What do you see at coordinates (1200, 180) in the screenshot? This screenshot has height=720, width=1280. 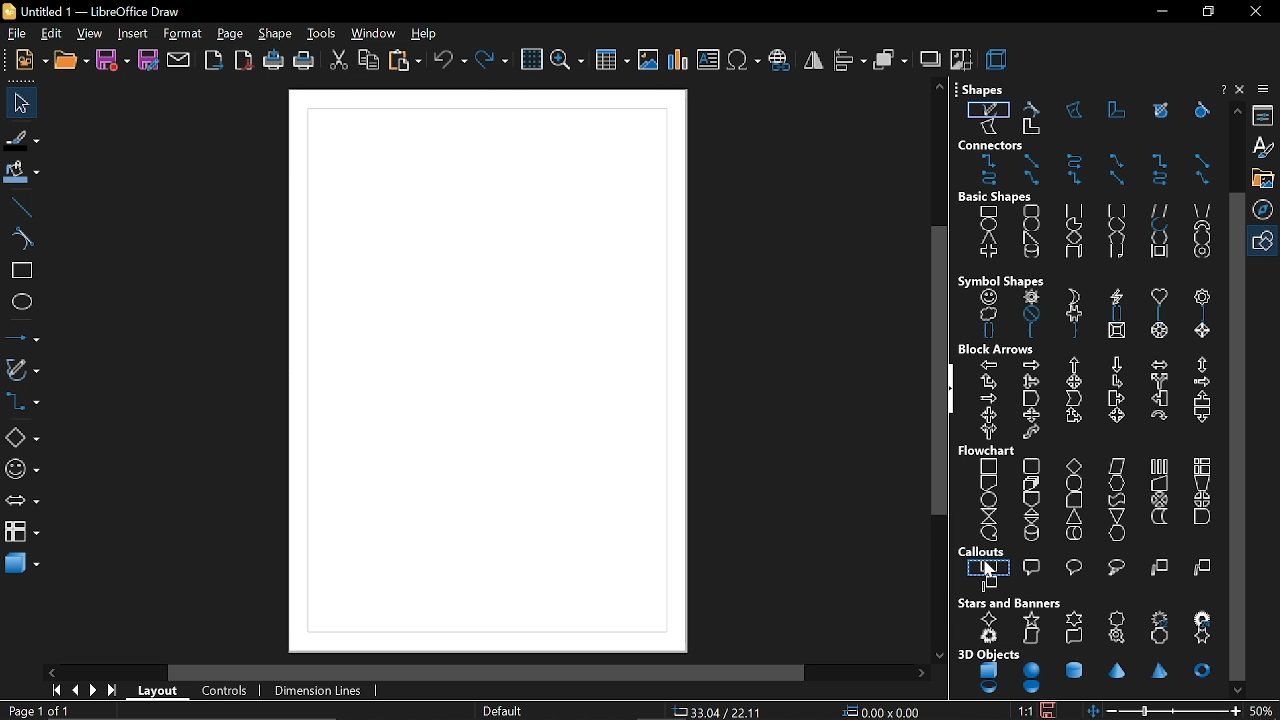 I see `line connector with arrows` at bounding box center [1200, 180].